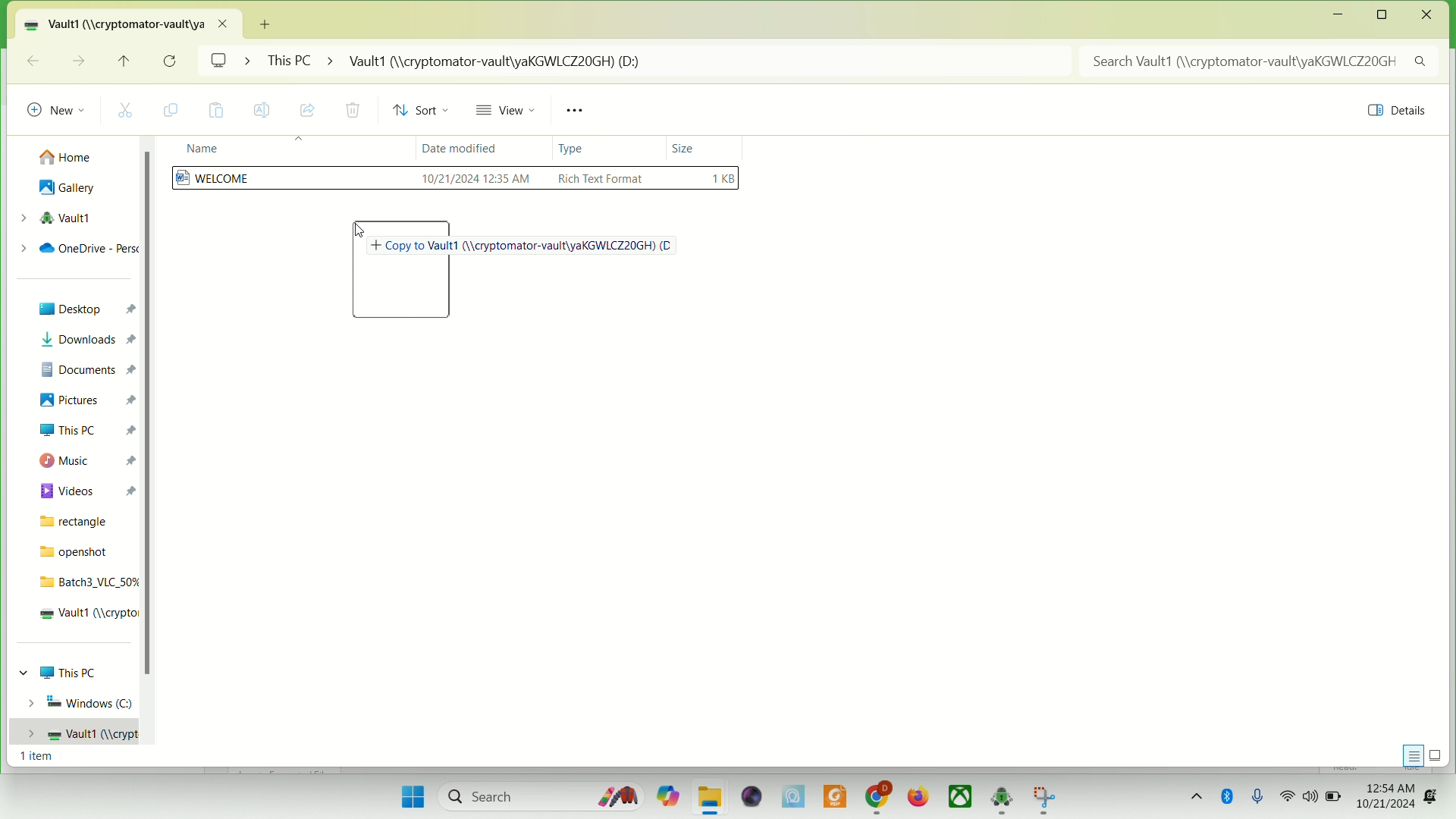  Describe the element at coordinates (66, 672) in the screenshot. I see `This PC` at that location.